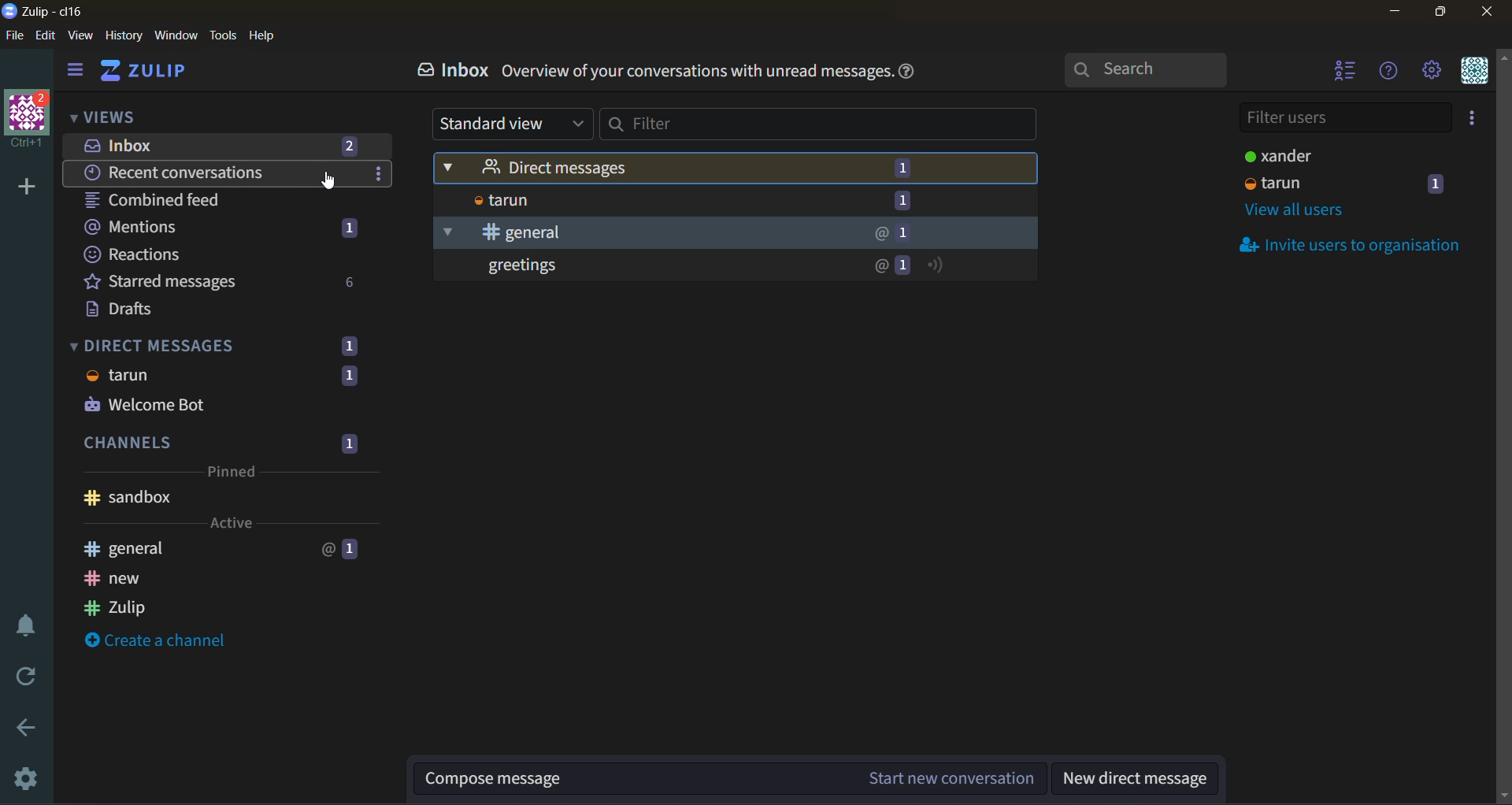 This screenshot has height=805, width=1512. Describe the element at coordinates (232, 146) in the screenshot. I see `inbox` at that location.